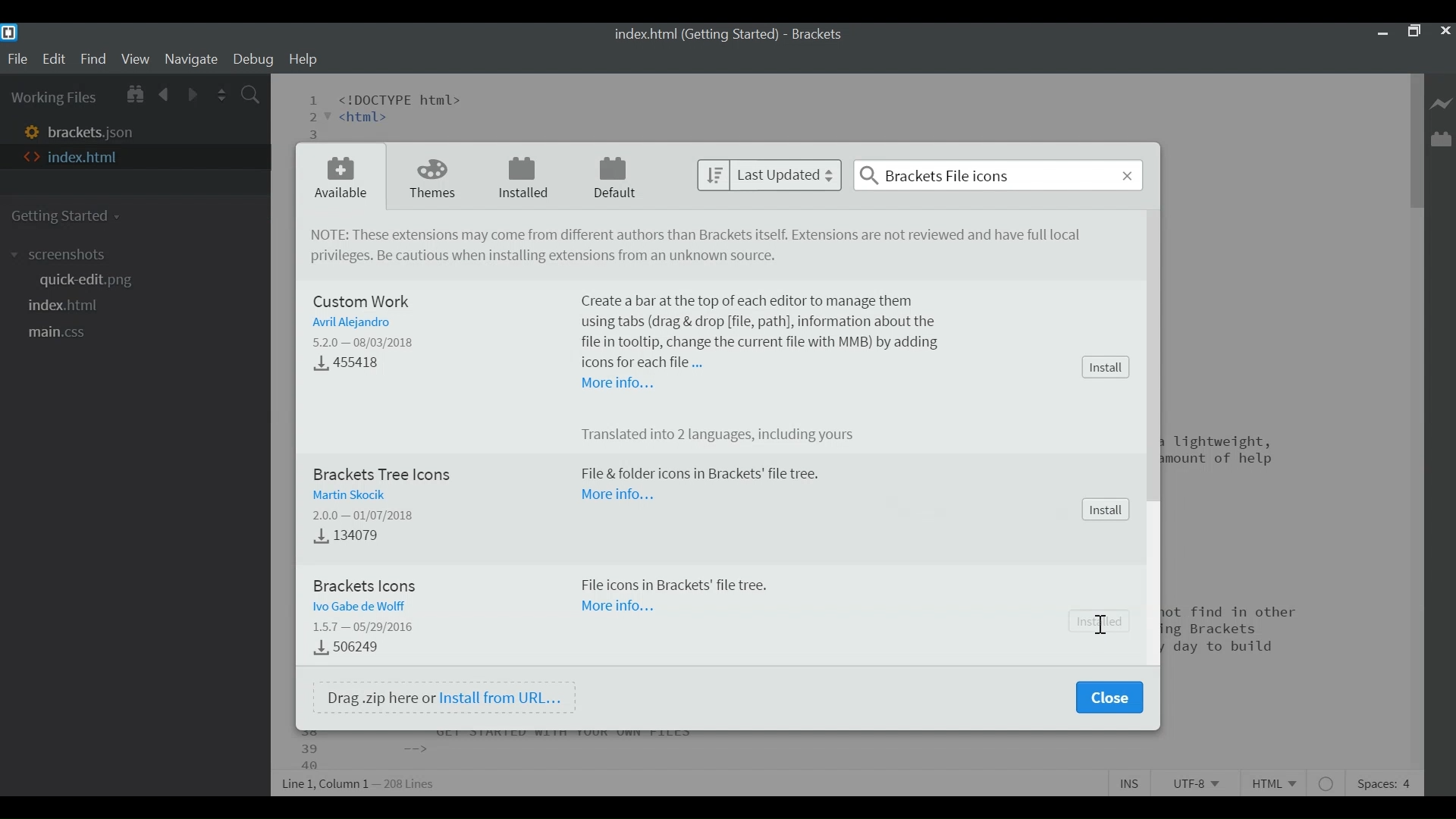  Describe the element at coordinates (542, 257) in the screenshot. I see `Be cautious installing extensions from unknown source` at that location.